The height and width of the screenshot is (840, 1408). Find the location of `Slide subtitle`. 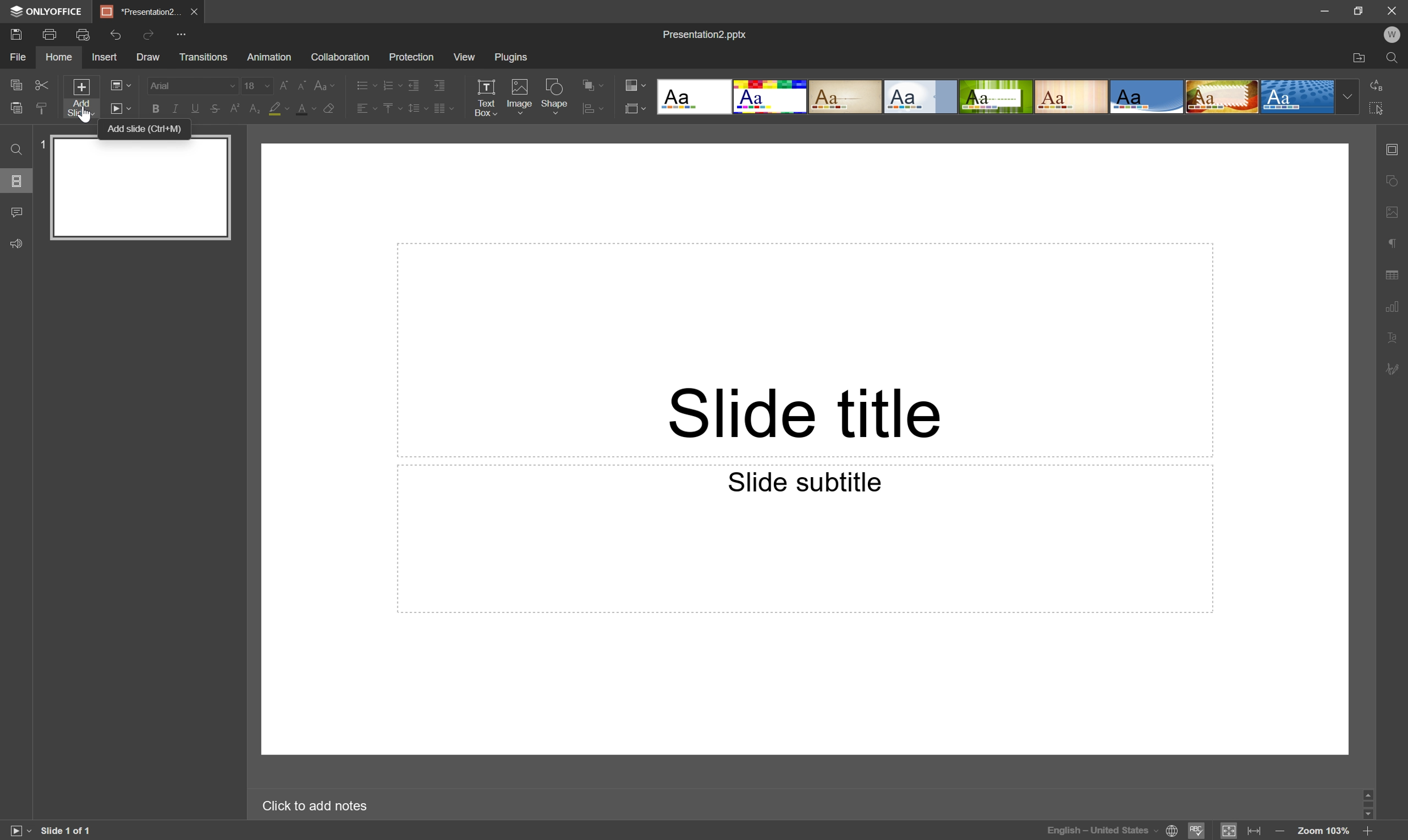

Slide subtitle is located at coordinates (806, 482).